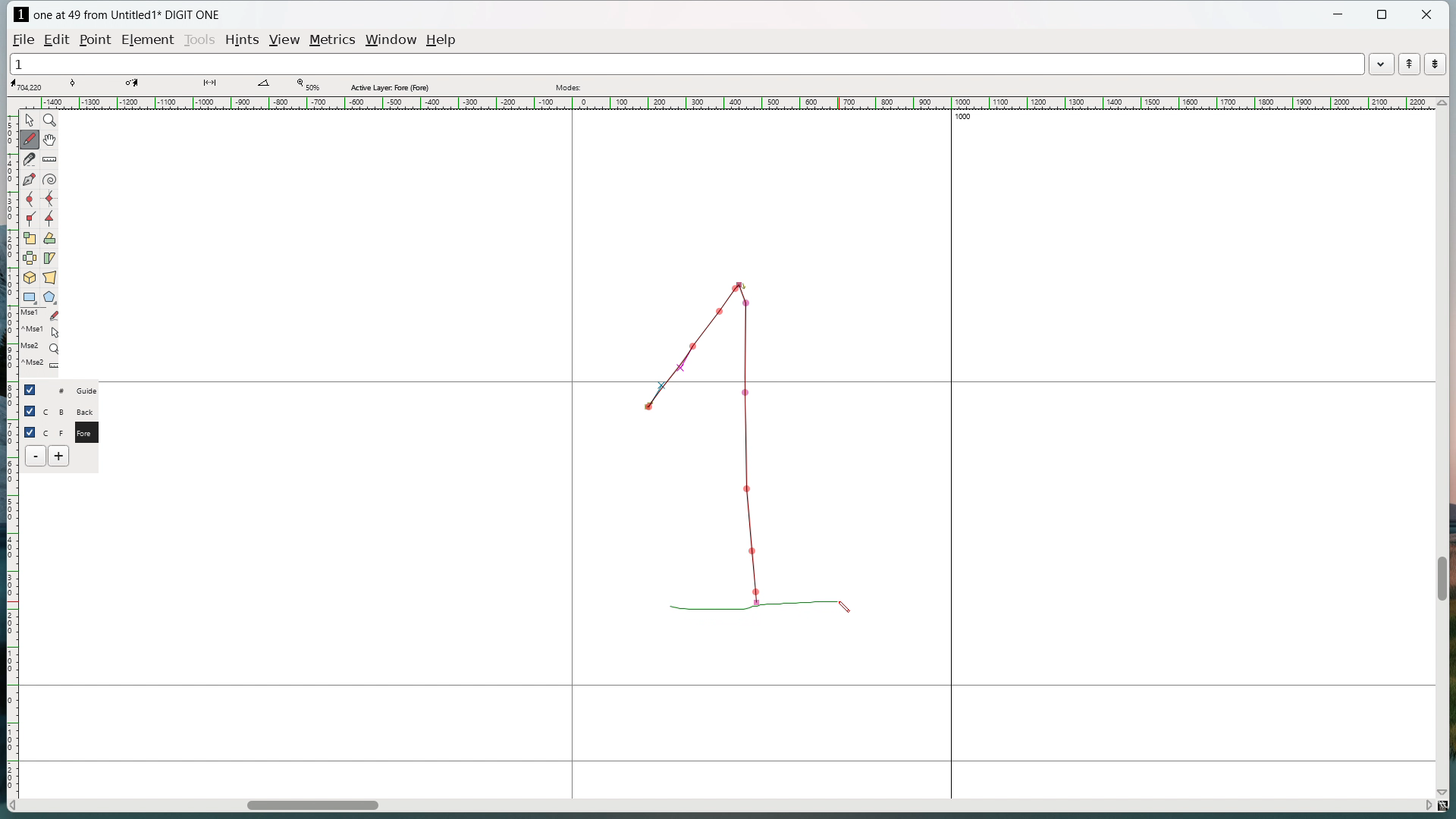  What do you see at coordinates (36, 456) in the screenshot?
I see `delete layer` at bounding box center [36, 456].